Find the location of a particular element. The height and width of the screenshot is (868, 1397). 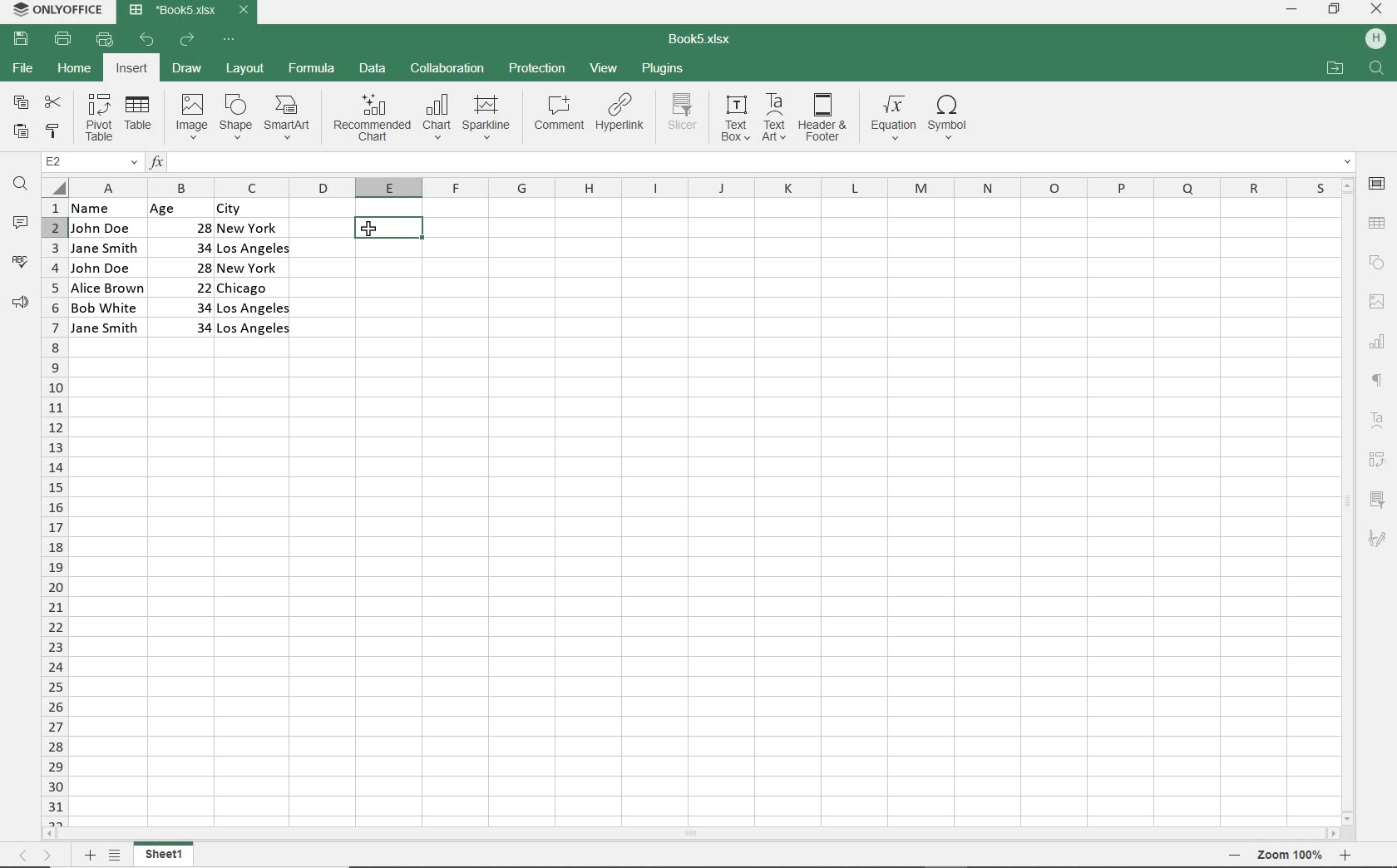

PIVOT TABLE is located at coordinates (99, 118).